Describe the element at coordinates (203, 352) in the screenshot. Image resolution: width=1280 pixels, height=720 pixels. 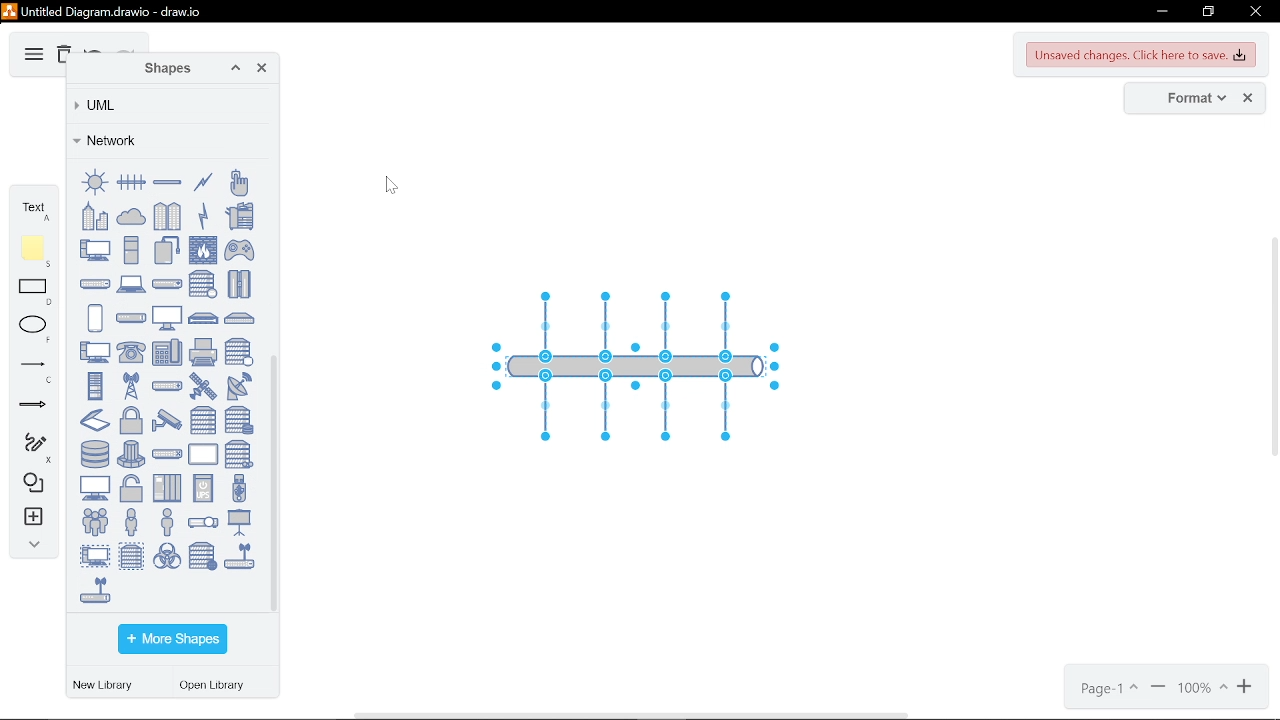
I see `printer` at that location.